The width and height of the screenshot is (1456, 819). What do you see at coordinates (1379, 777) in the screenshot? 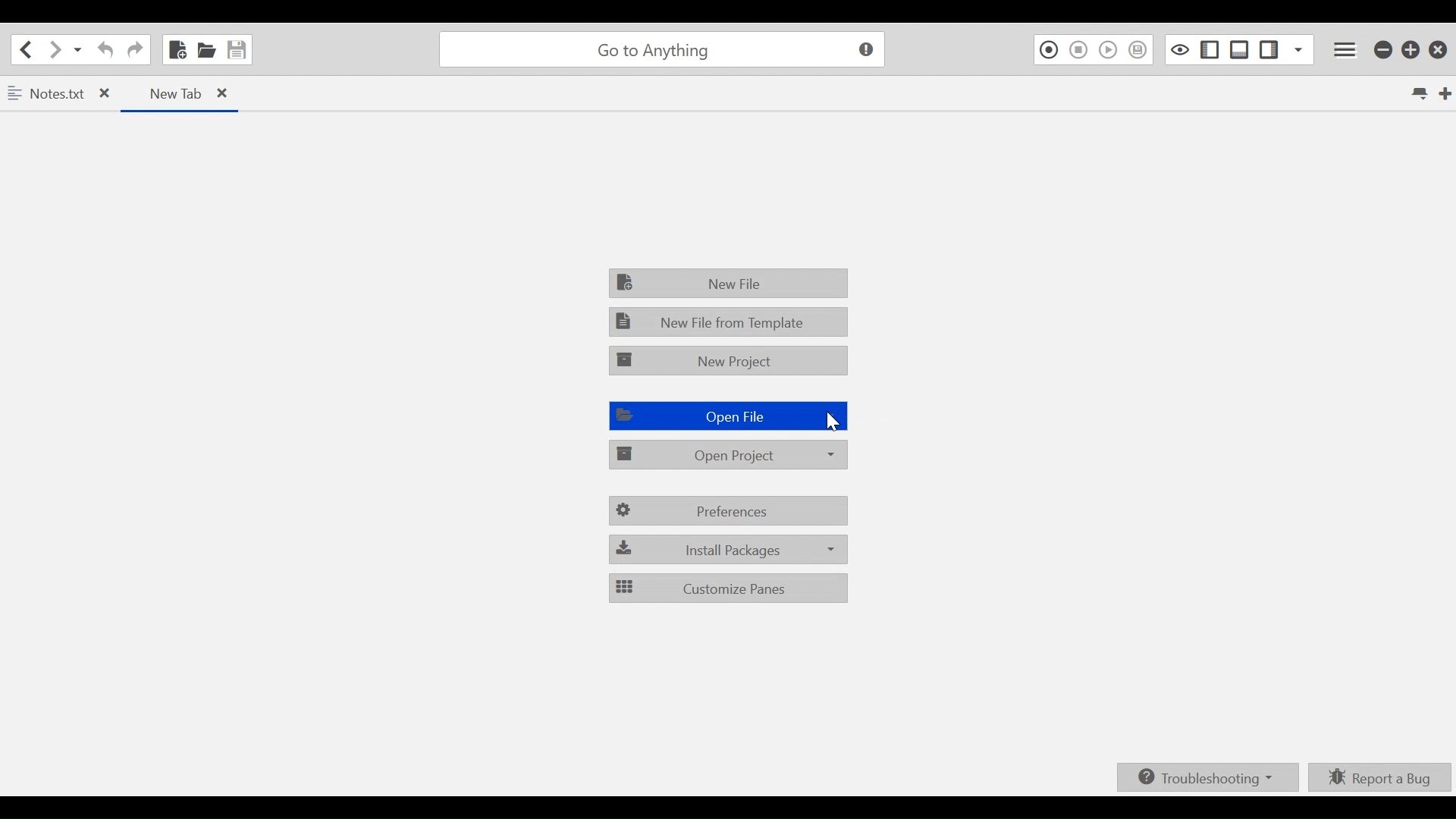
I see `Report a bug` at bounding box center [1379, 777].